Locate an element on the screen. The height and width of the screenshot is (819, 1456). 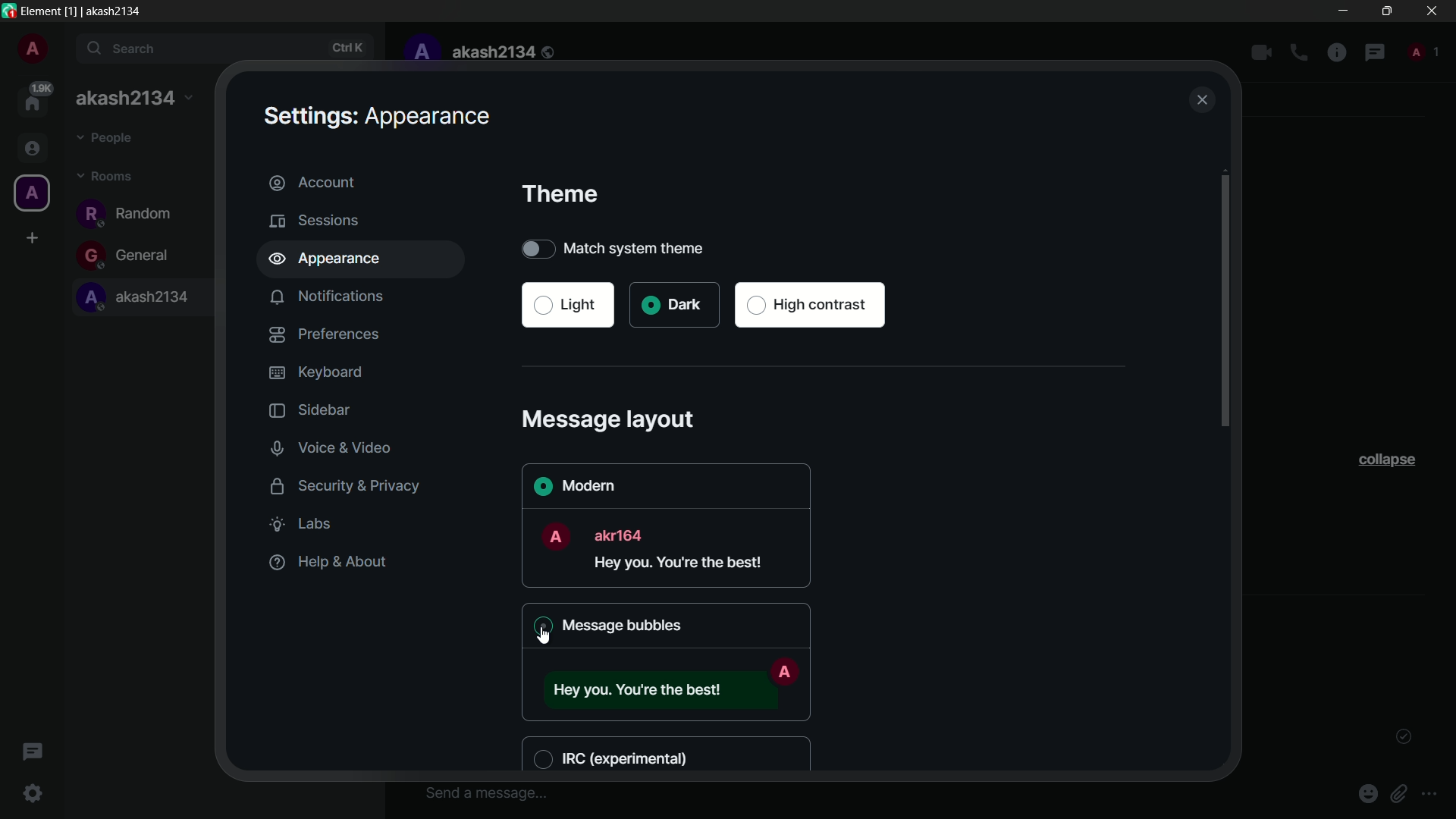
labs is located at coordinates (306, 524).